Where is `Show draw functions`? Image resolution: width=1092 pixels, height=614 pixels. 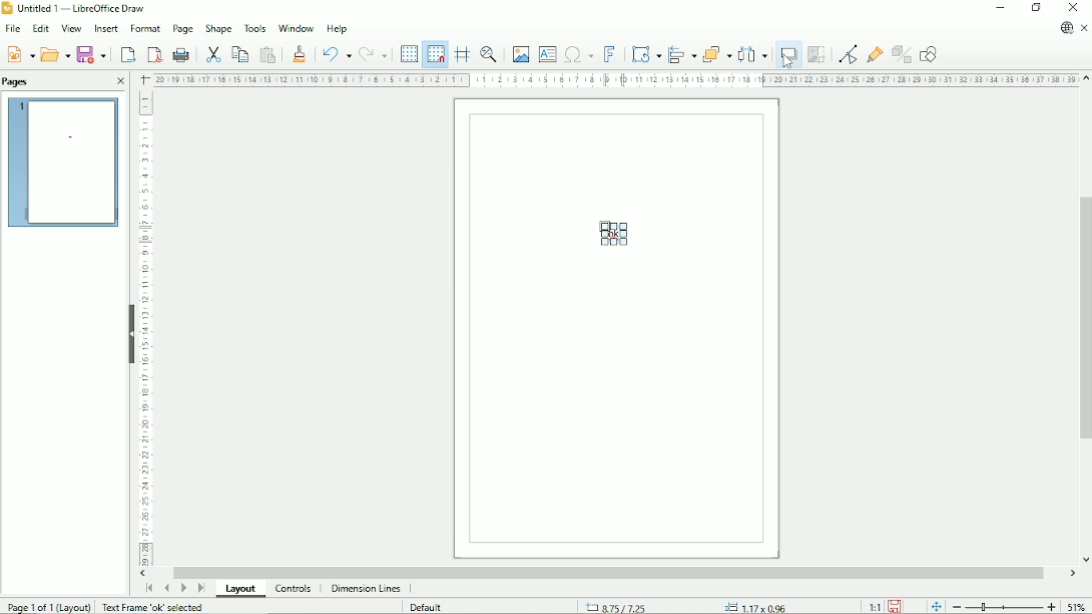 Show draw functions is located at coordinates (928, 53).